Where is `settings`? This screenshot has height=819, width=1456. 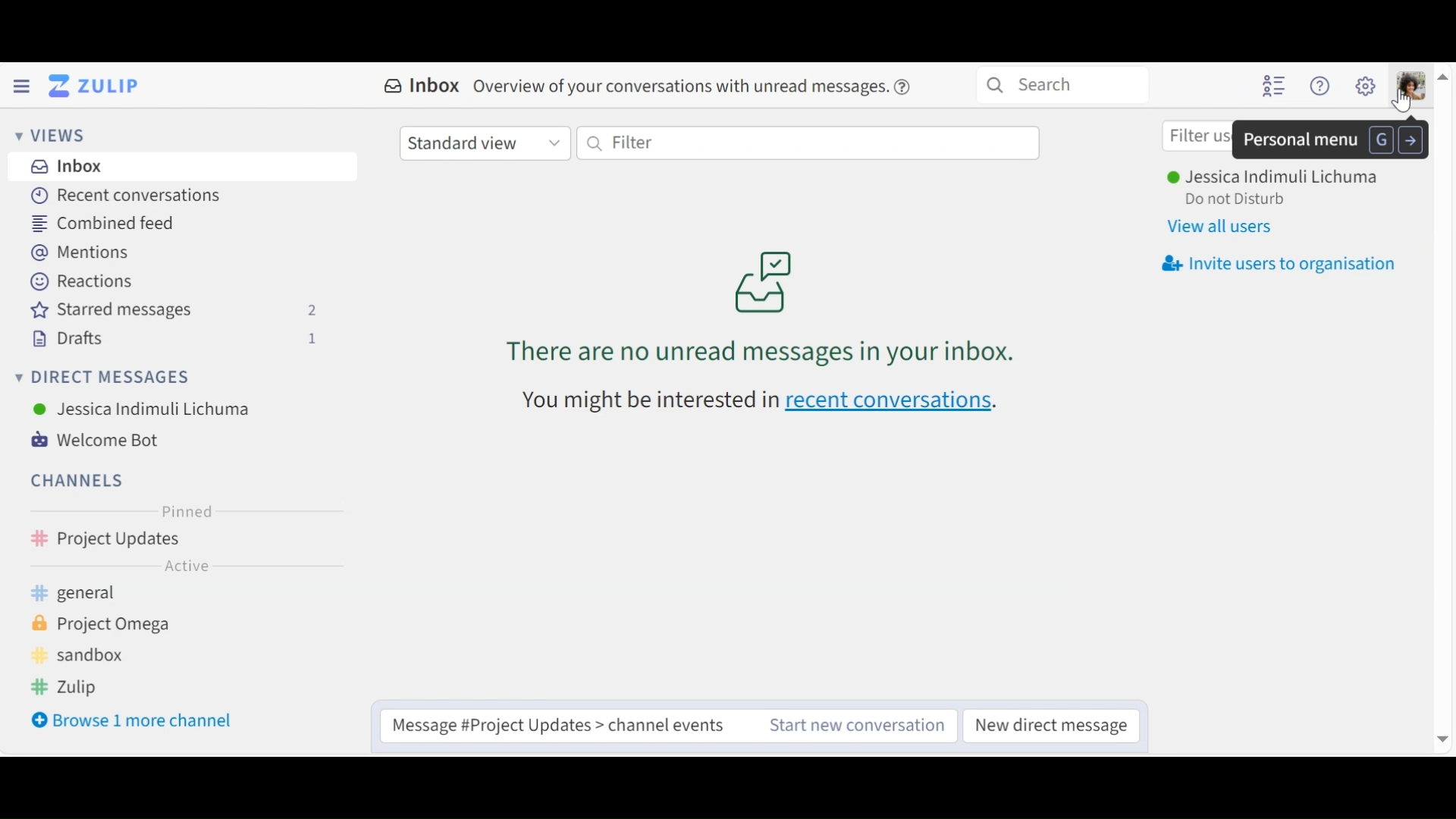
settings is located at coordinates (1364, 86).